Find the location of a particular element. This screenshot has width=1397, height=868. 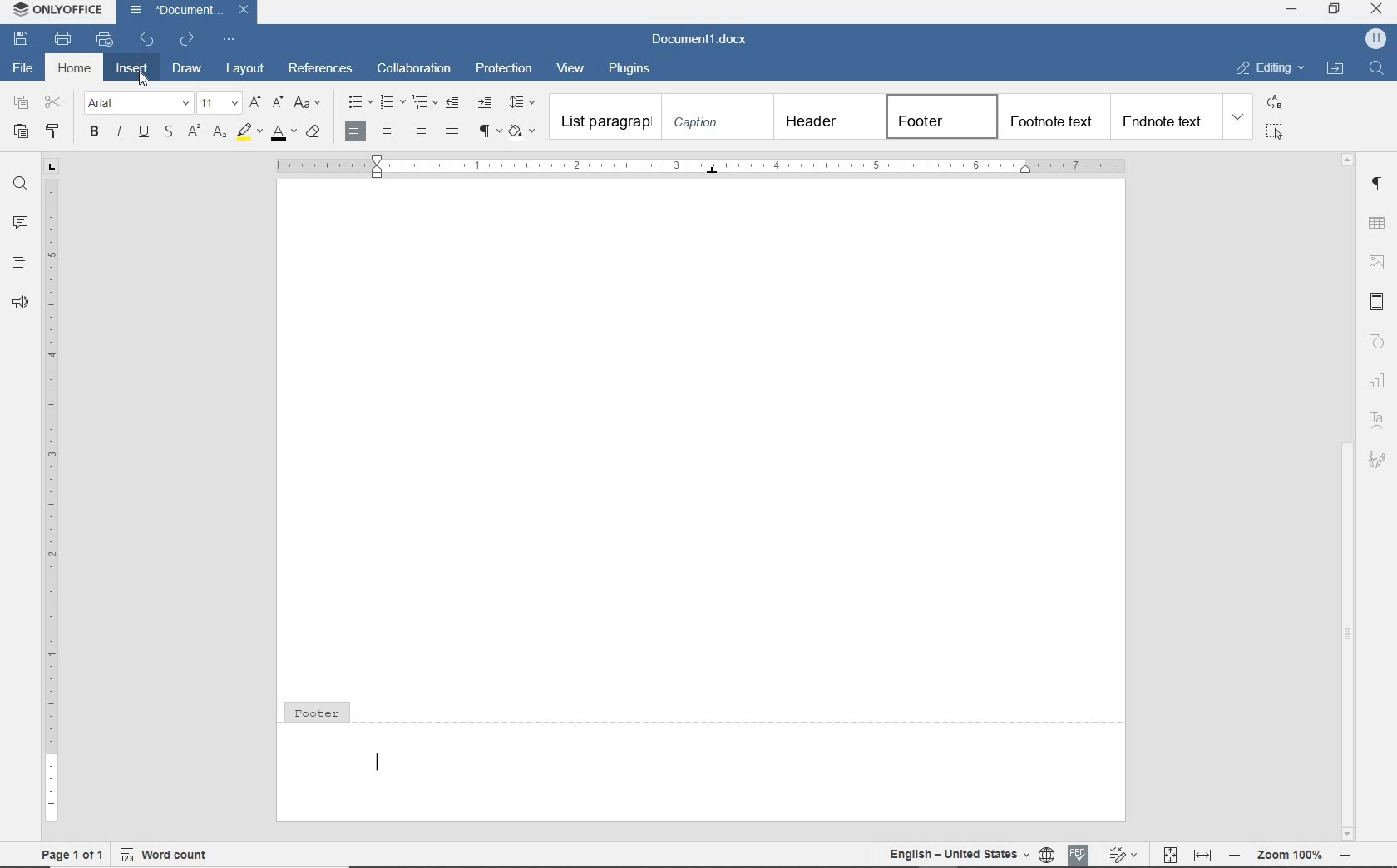

redo is located at coordinates (188, 40).